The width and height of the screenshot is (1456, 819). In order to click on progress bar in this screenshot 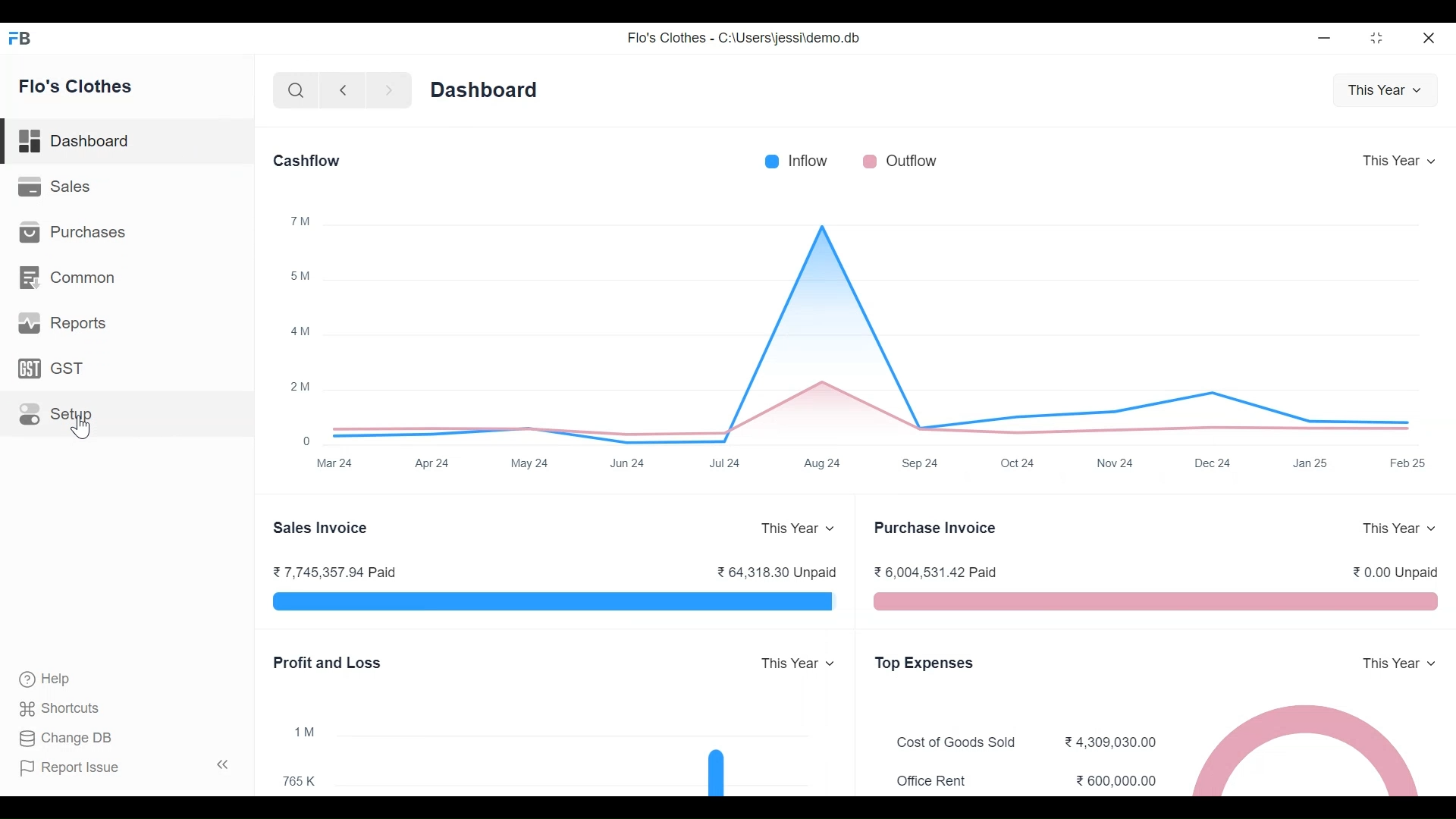, I will do `click(1157, 601)`.